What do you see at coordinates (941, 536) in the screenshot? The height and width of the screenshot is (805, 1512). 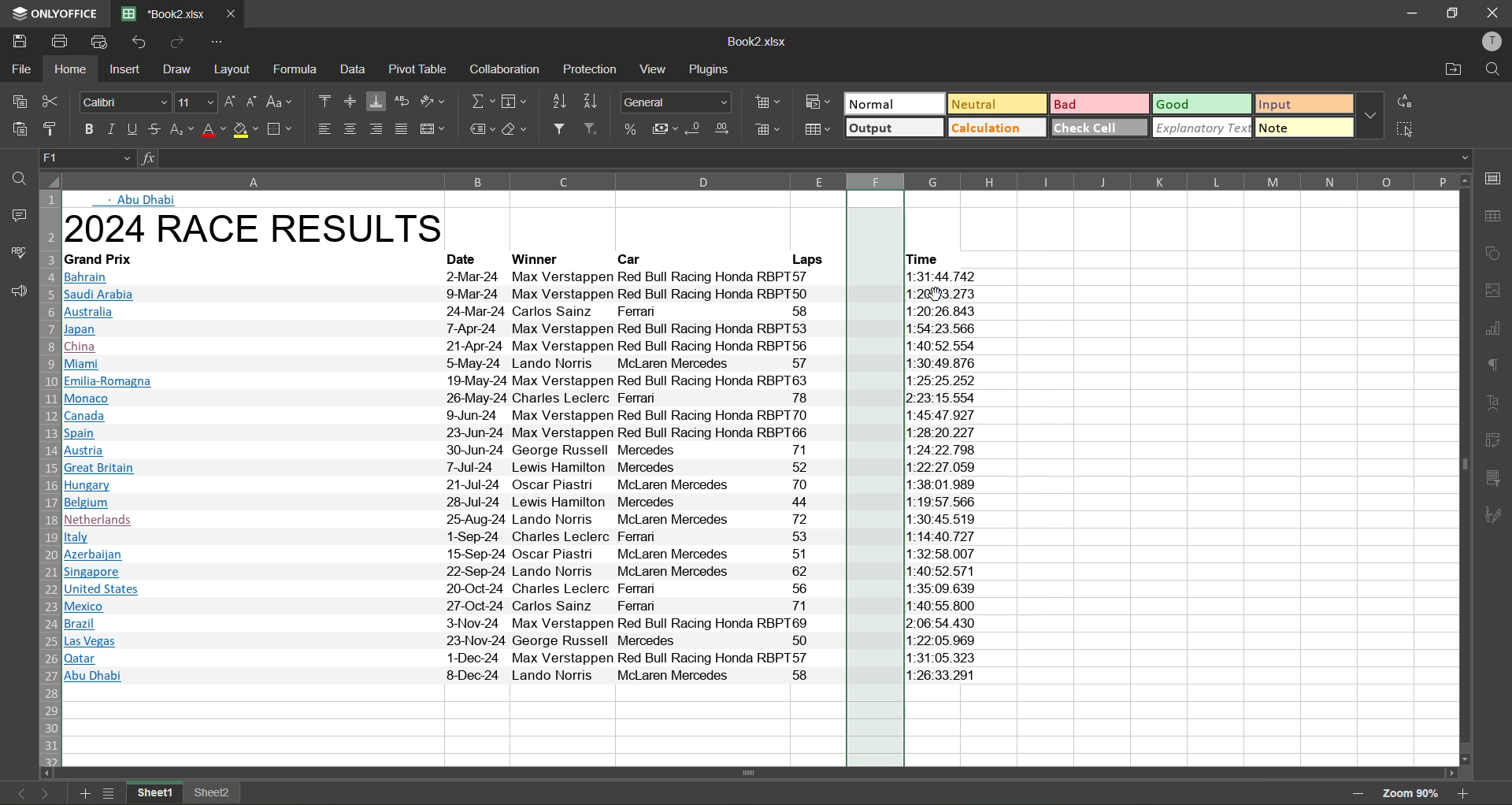 I see `11:14:40.727` at bounding box center [941, 536].